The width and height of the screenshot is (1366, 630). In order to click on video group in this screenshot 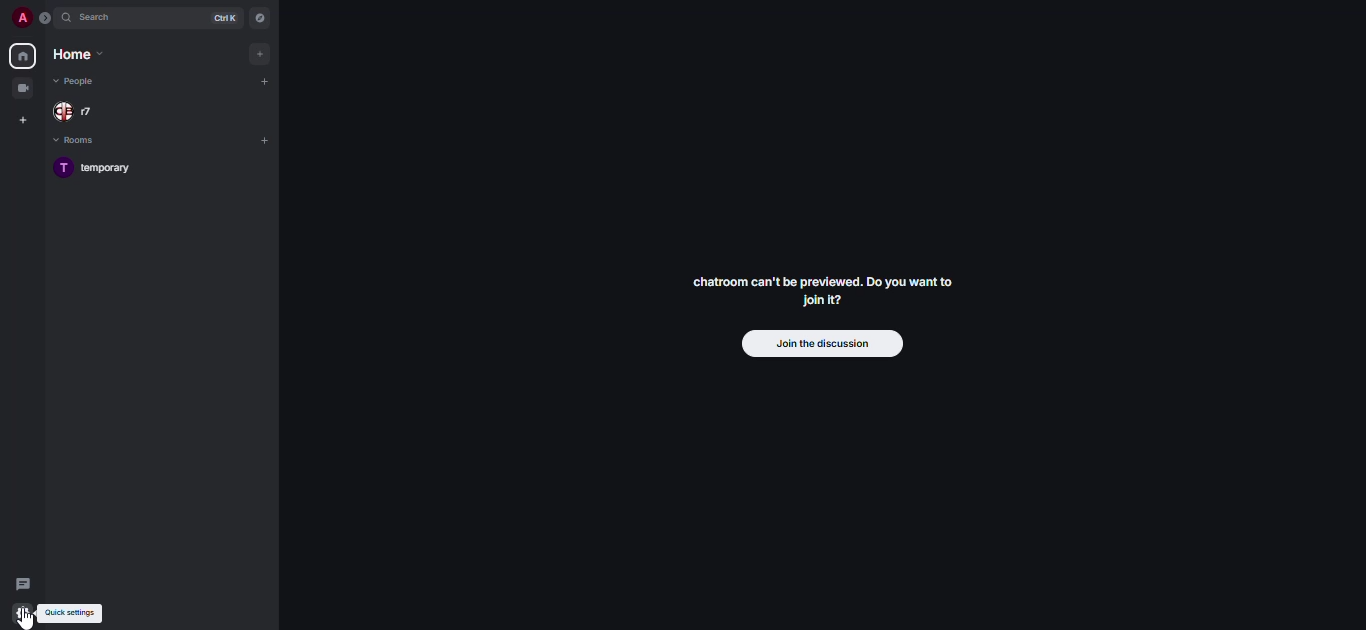, I will do `click(22, 88)`.